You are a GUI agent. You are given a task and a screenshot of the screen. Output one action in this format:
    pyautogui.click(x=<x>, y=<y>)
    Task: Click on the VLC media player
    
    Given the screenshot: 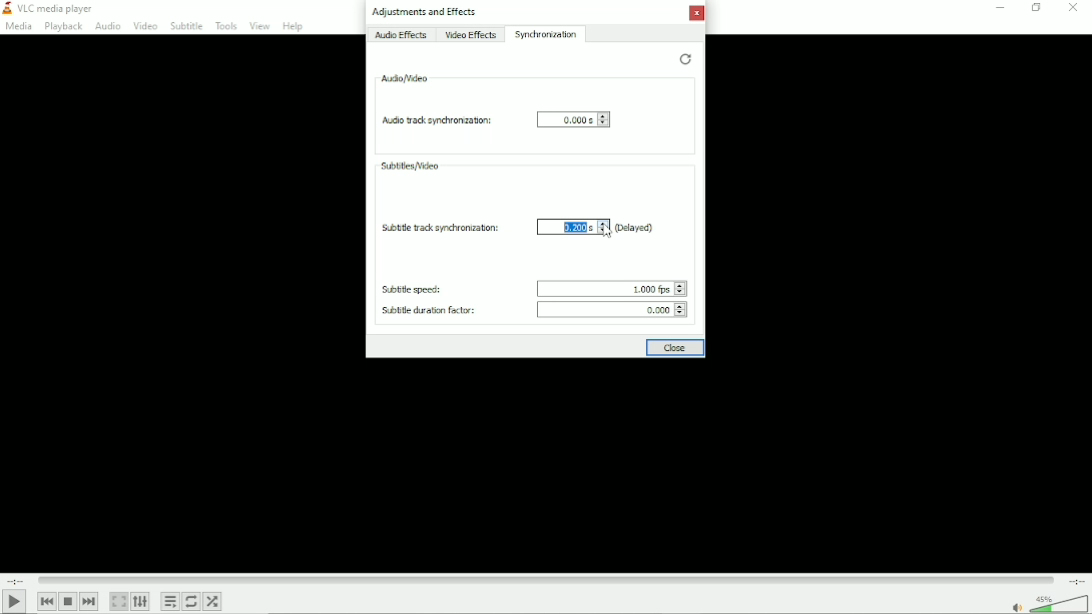 What is the action you would take?
    pyautogui.click(x=50, y=8)
    